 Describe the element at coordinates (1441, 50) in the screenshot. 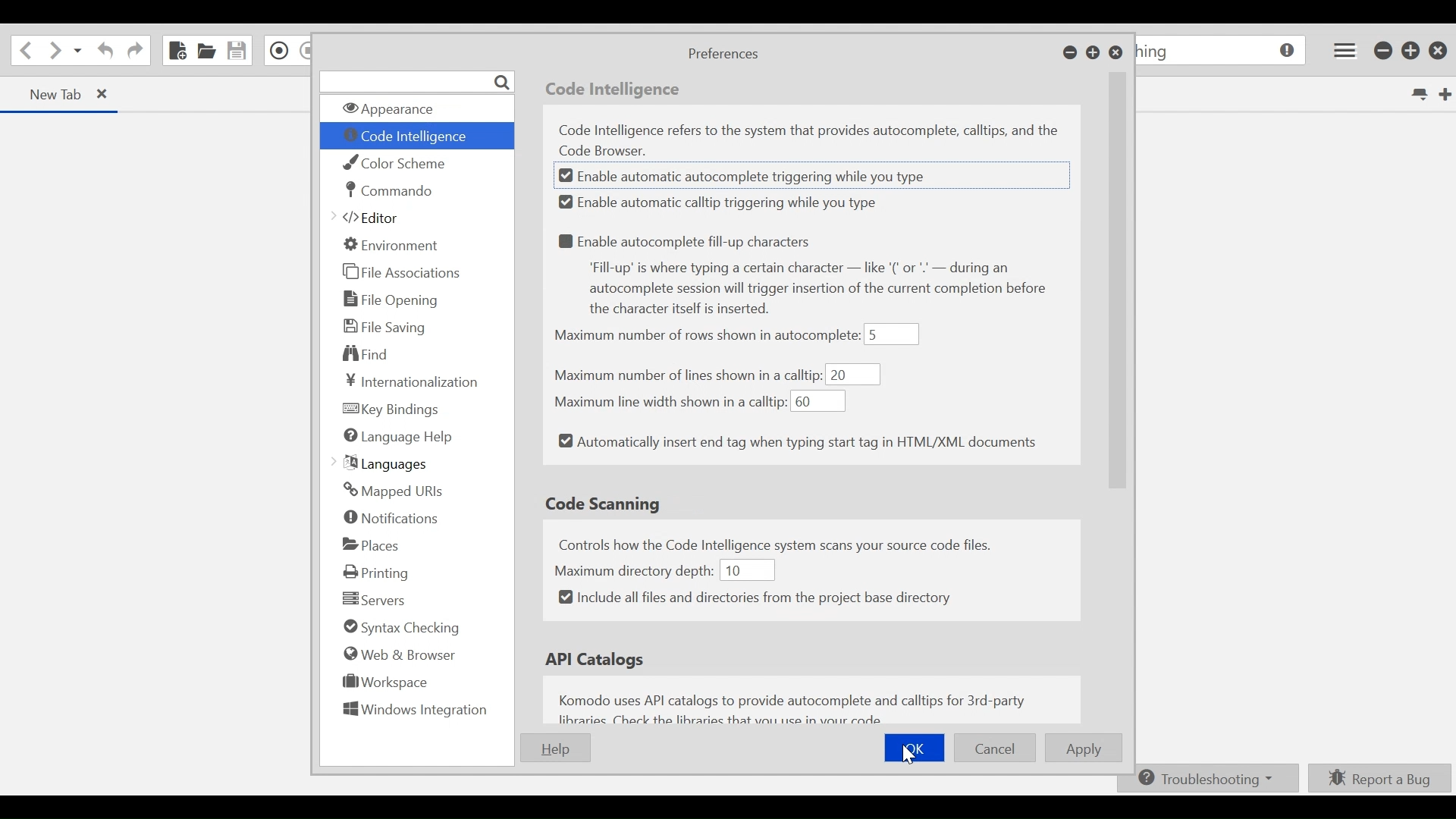

I see `close` at that location.